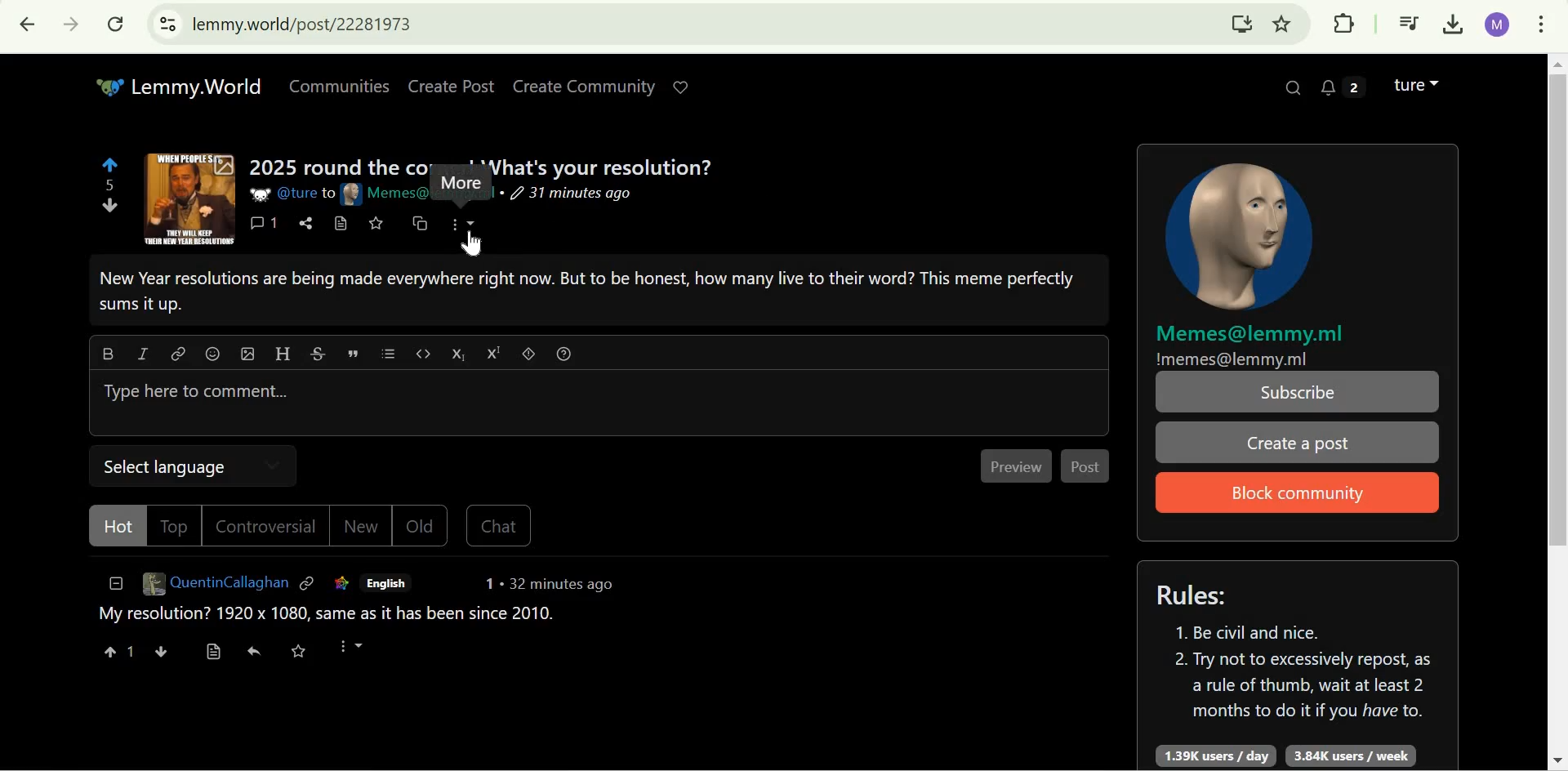 This screenshot has width=1568, height=771. I want to click on save, so click(376, 225).